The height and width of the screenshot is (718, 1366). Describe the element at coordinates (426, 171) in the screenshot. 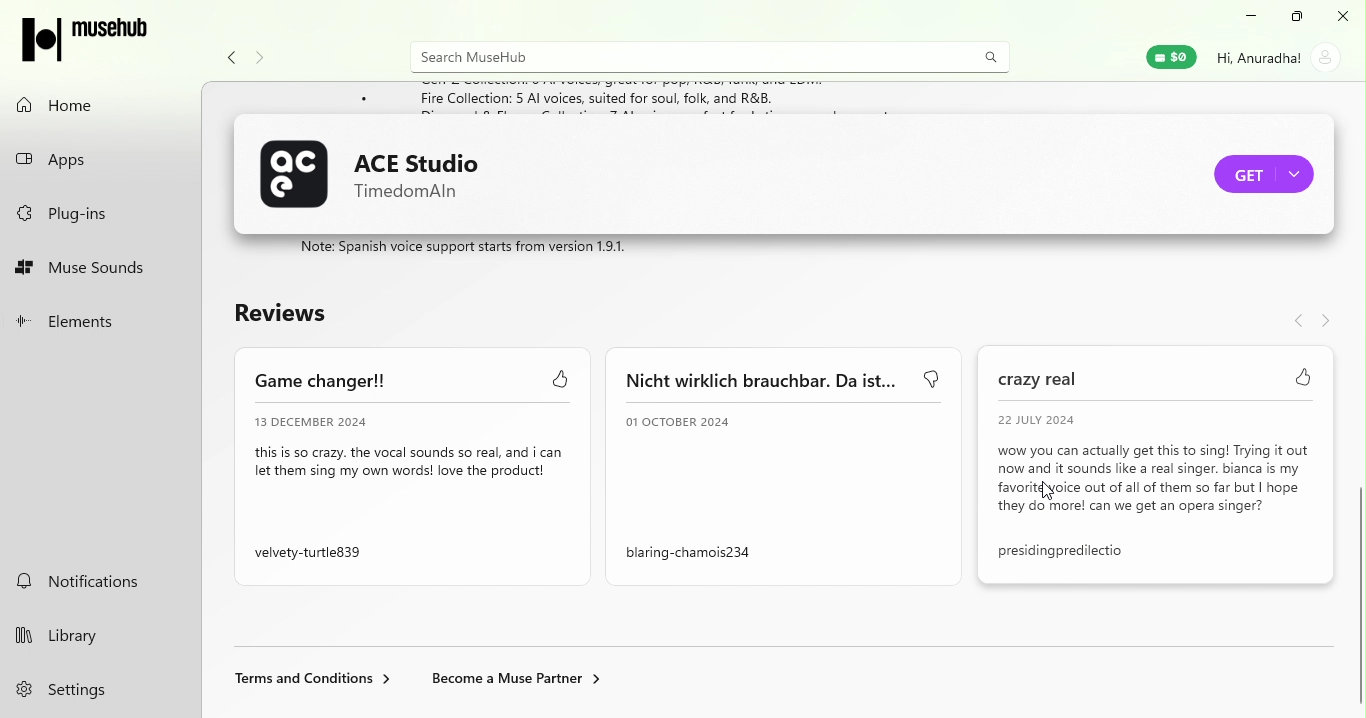

I see `ACE Studio name` at that location.